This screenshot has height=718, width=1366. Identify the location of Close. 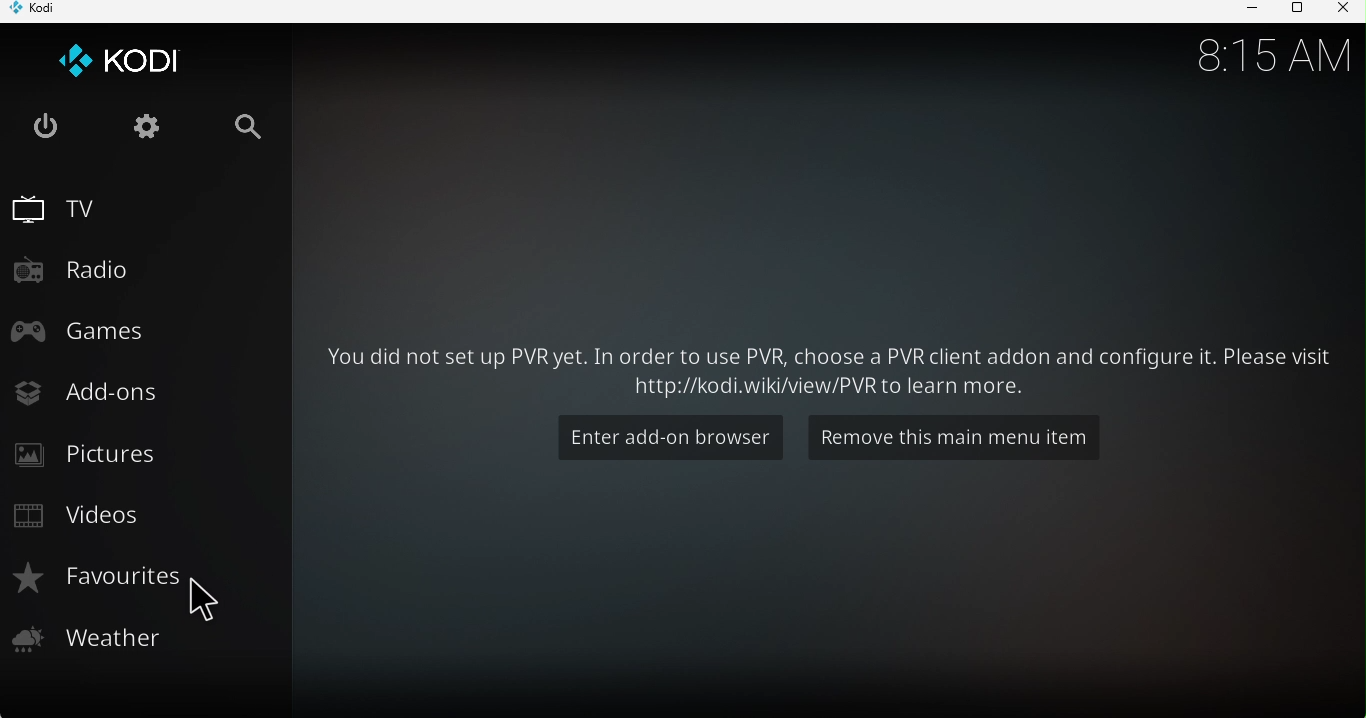
(1342, 10).